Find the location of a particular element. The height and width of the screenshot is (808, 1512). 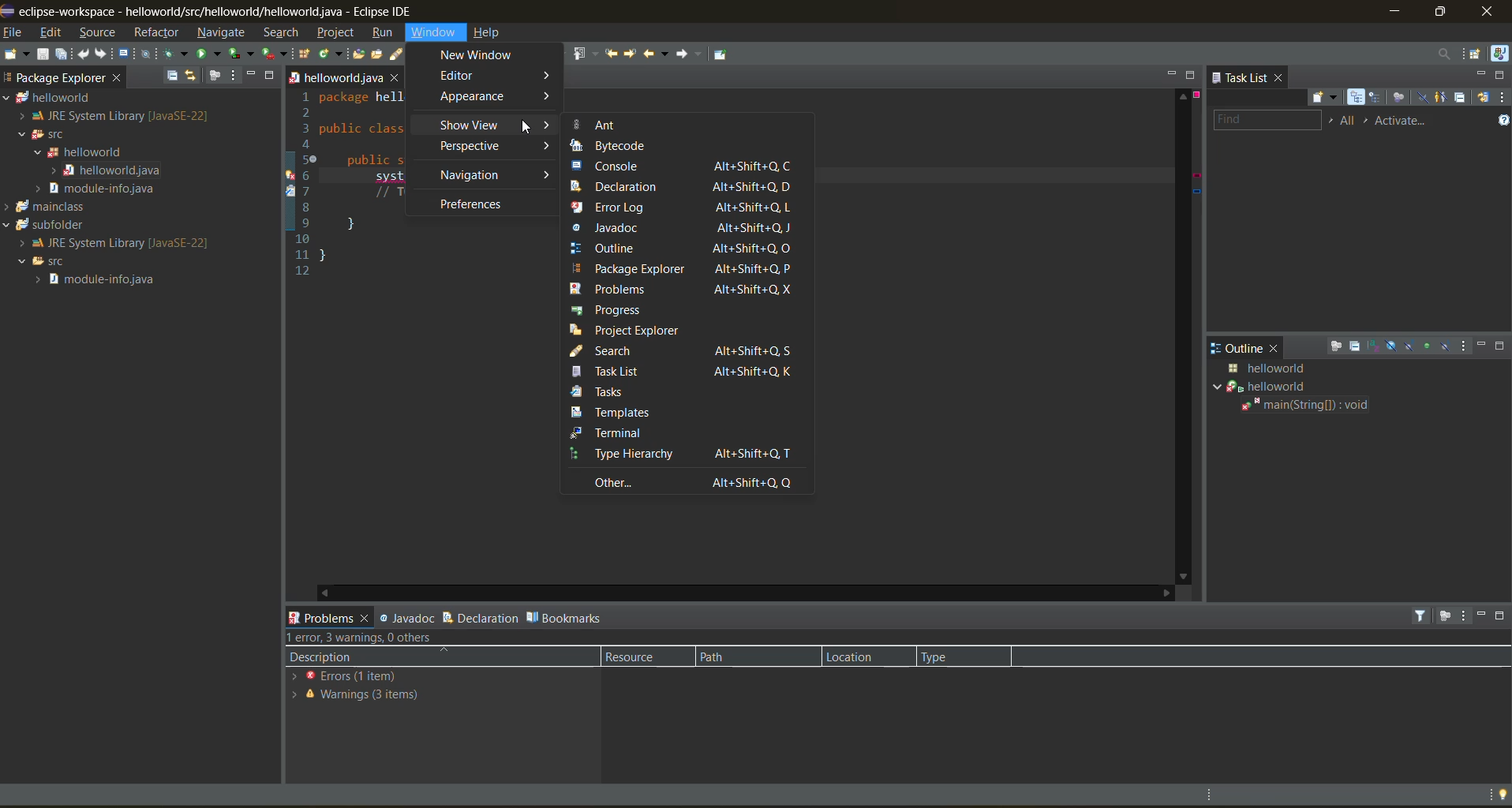

select working set is located at coordinates (1331, 122).